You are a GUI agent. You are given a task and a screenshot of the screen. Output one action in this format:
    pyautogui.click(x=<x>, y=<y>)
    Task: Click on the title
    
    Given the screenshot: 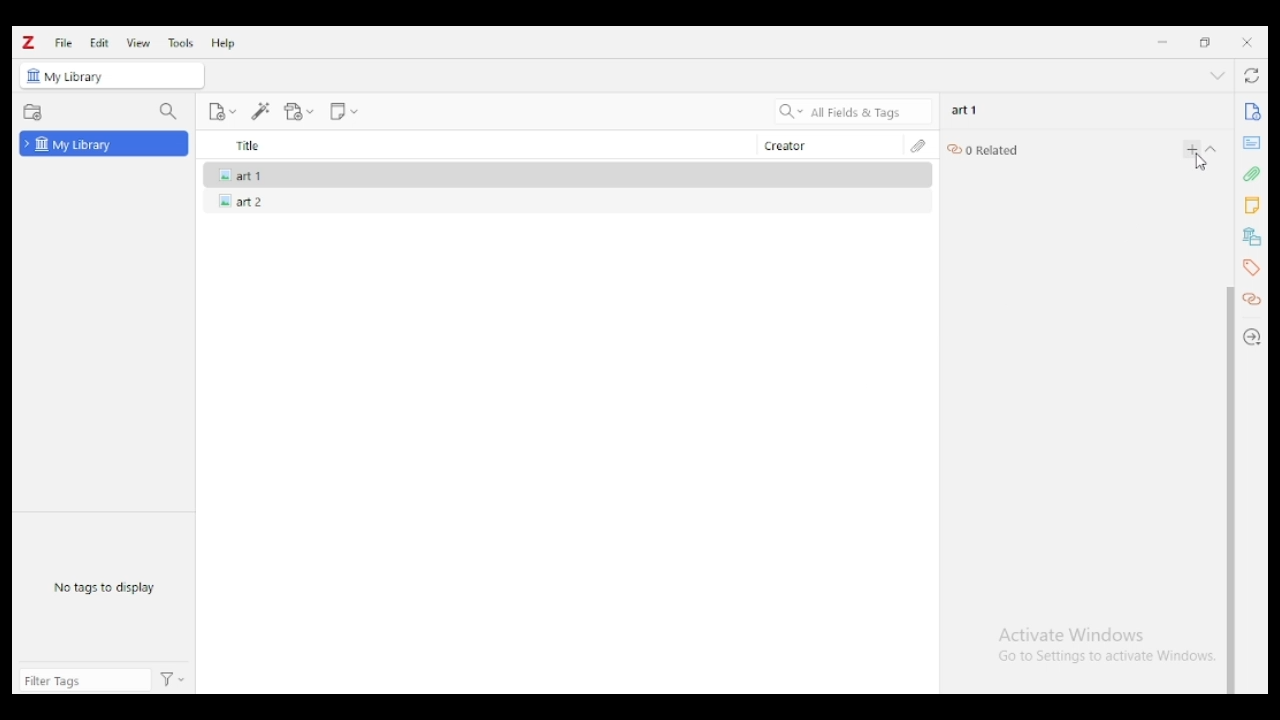 What is the action you would take?
    pyautogui.click(x=475, y=145)
    